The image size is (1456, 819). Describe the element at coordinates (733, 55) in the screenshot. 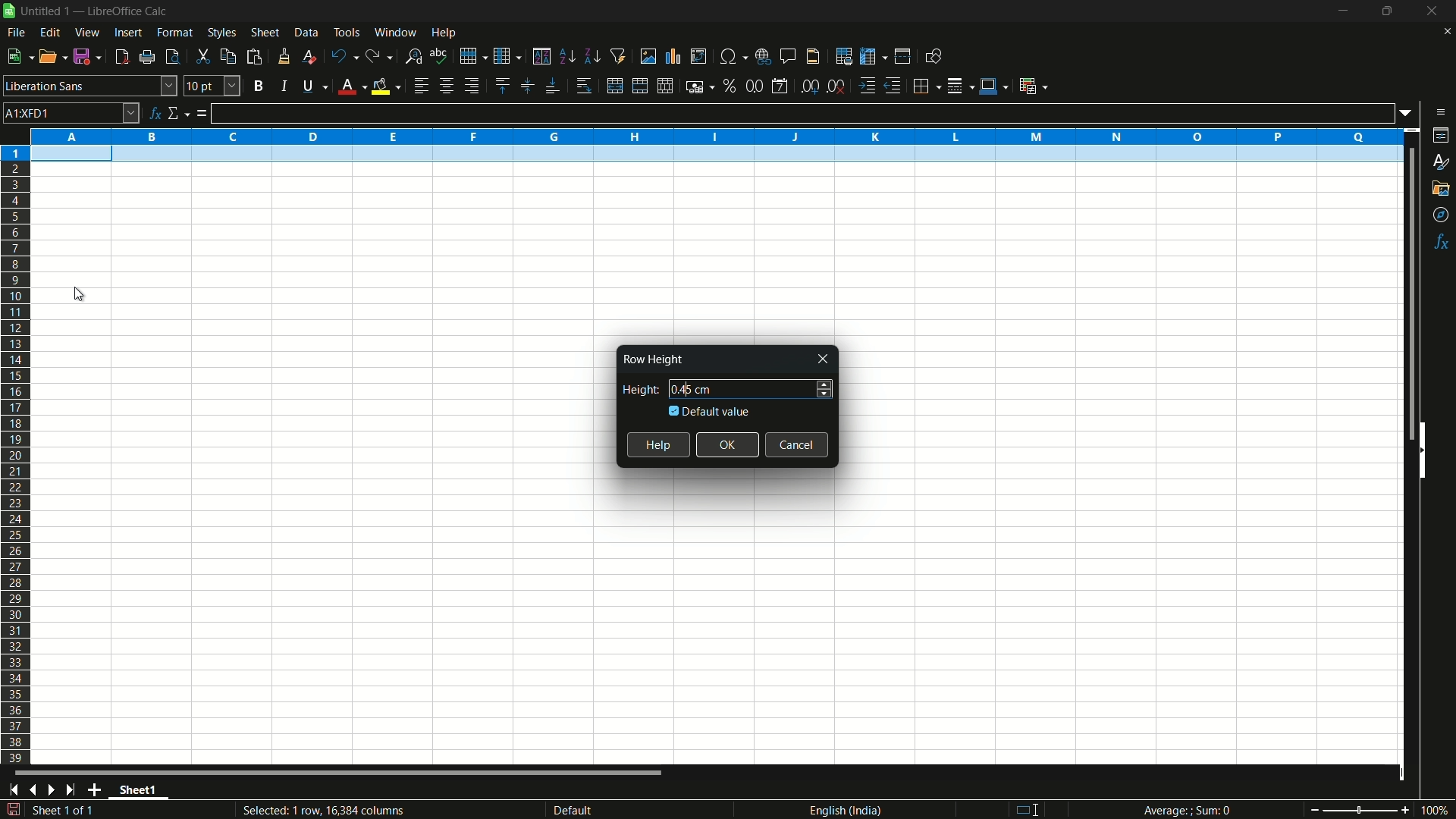

I see `insert special characters` at that location.